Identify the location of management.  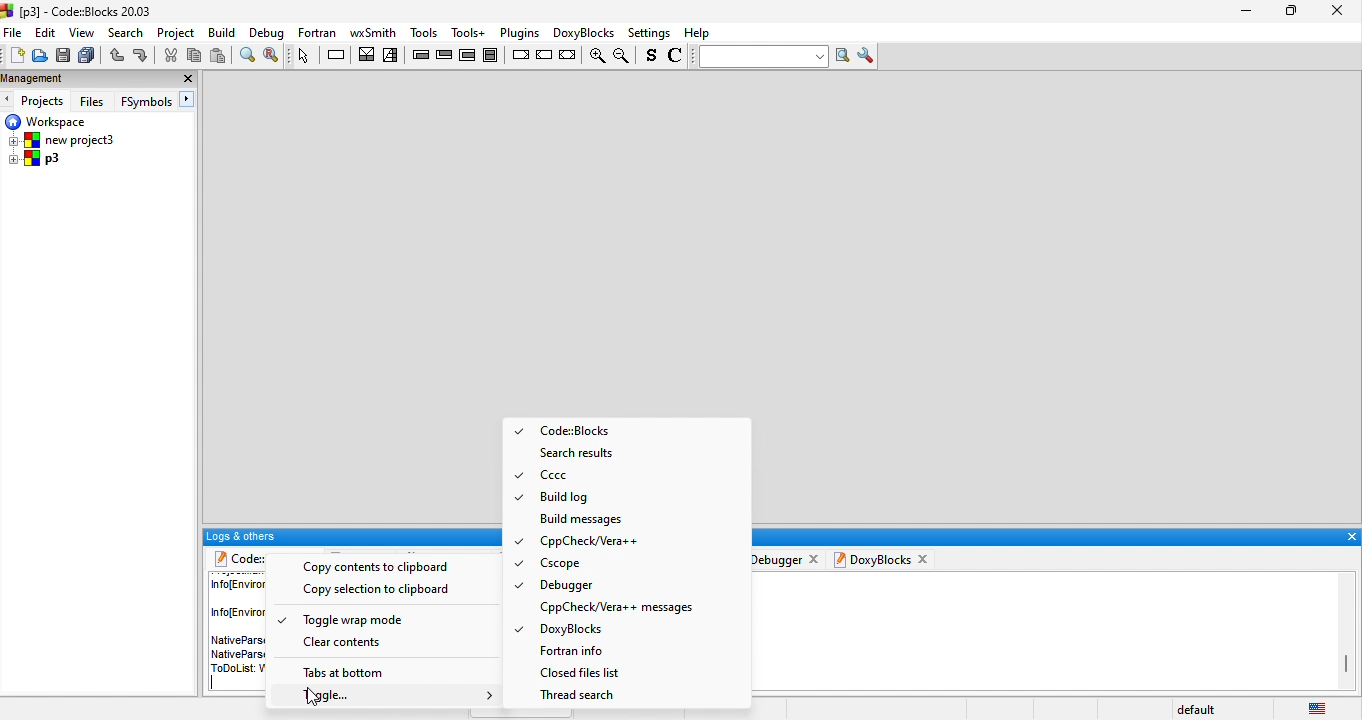
(70, 80).